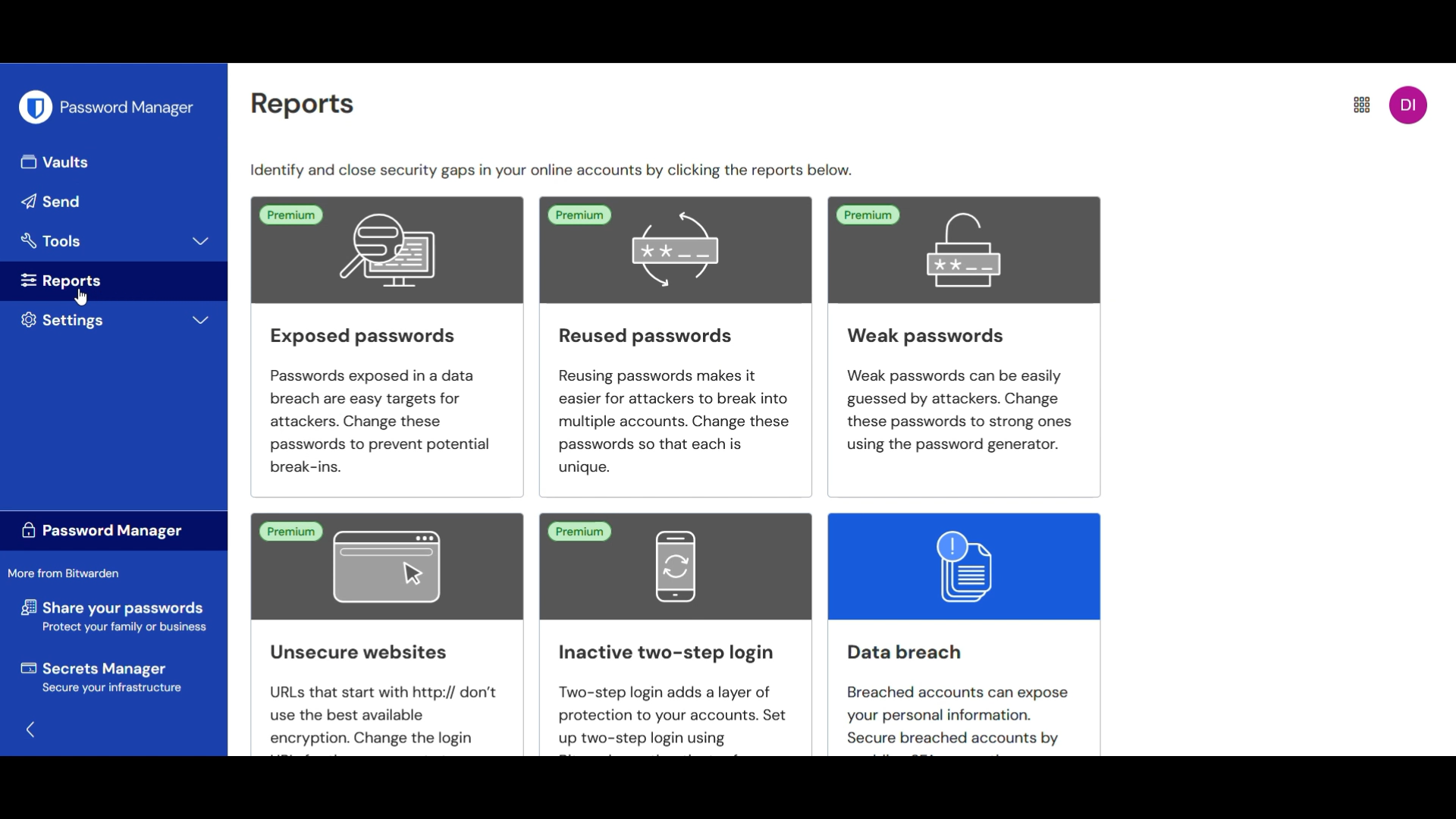 This screenshot has width=1456, height=819. I want to click on Data breach

Breached accounts can expose
your personal information.
Secure breached accounts by, so click(967, 631).